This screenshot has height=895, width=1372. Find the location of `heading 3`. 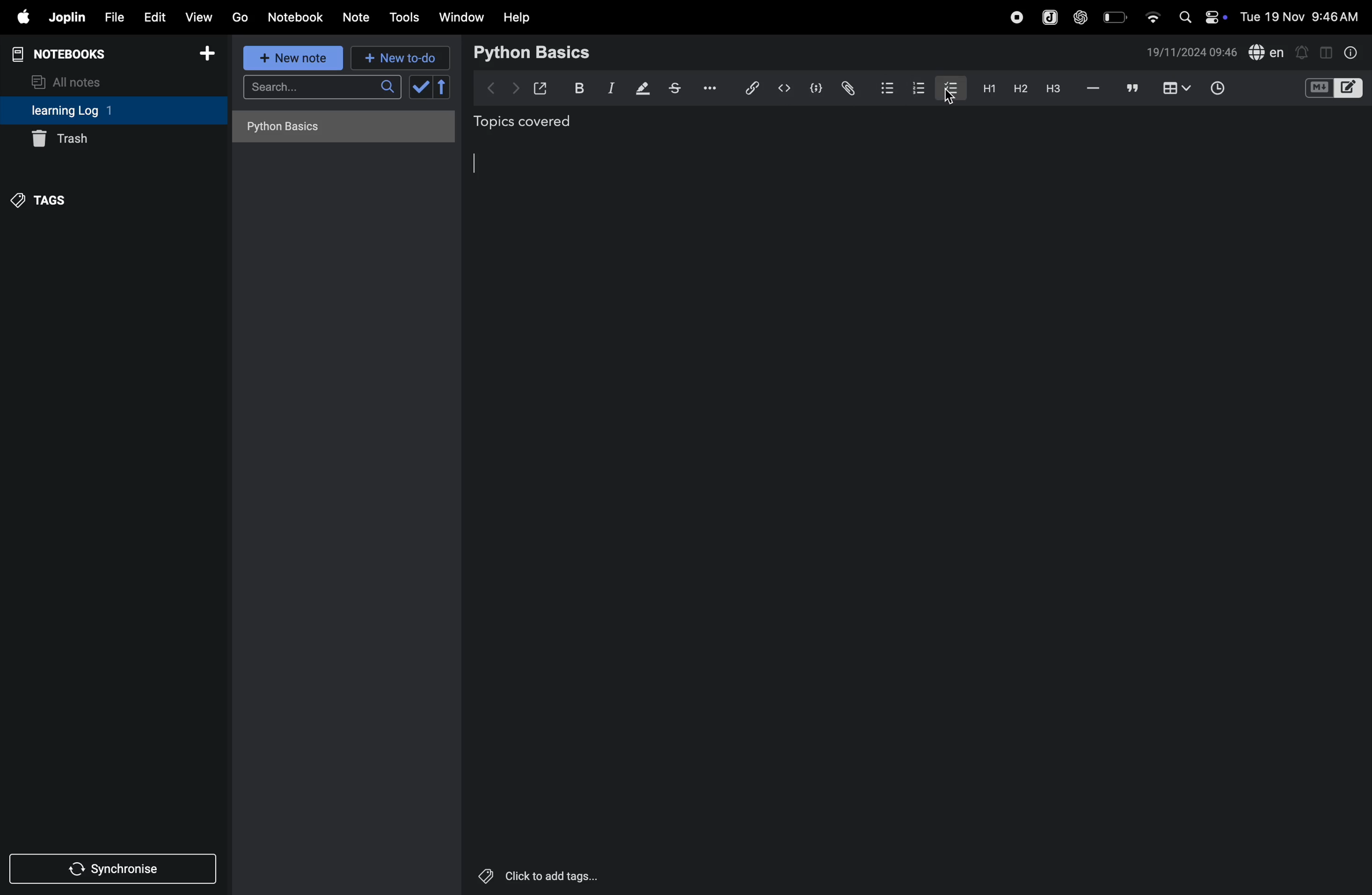

heading 3 is located at coordinates (1053, 89).